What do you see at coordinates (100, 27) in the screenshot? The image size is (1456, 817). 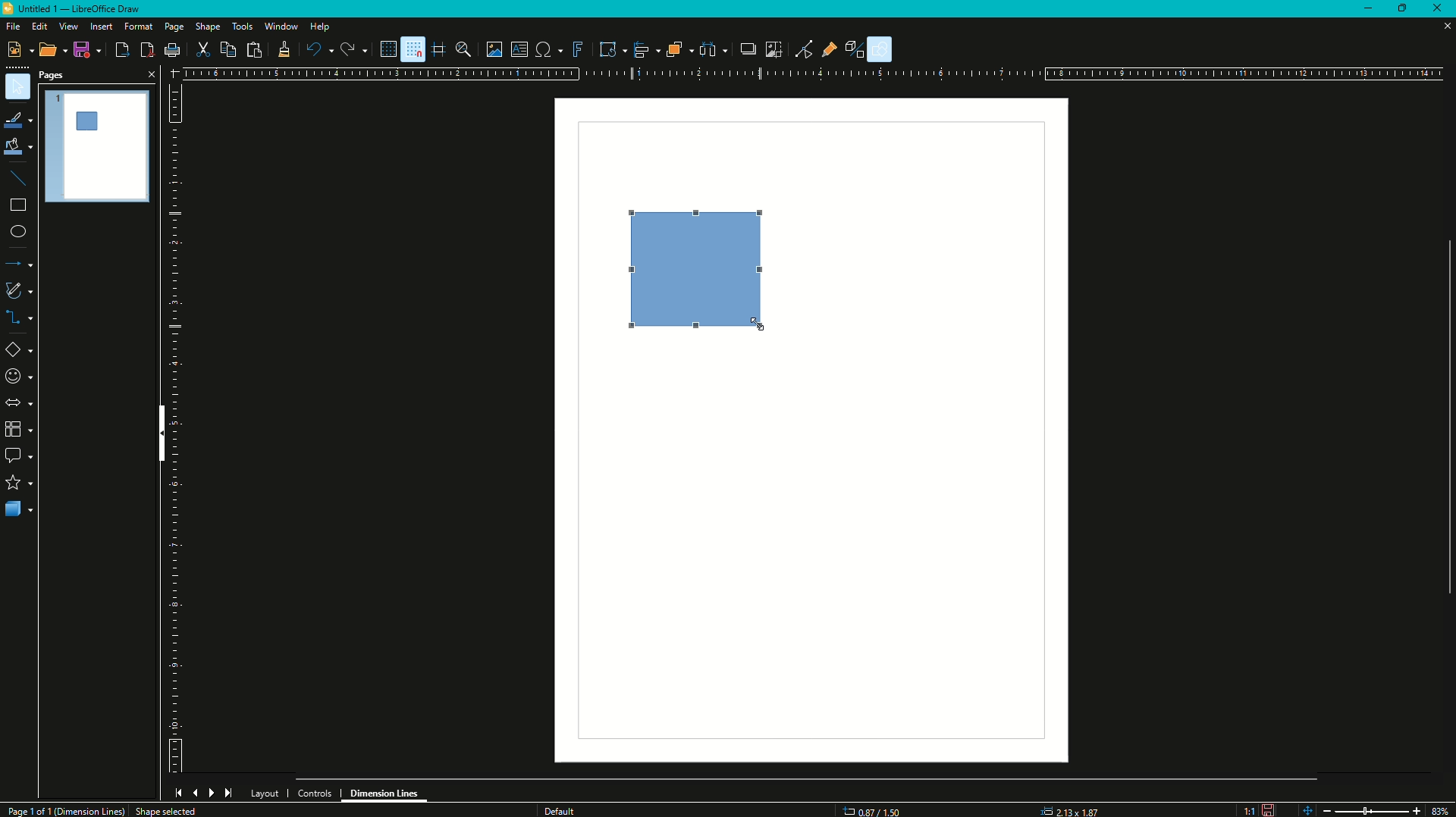 I see `Insert` at bounding box center [100, 27].